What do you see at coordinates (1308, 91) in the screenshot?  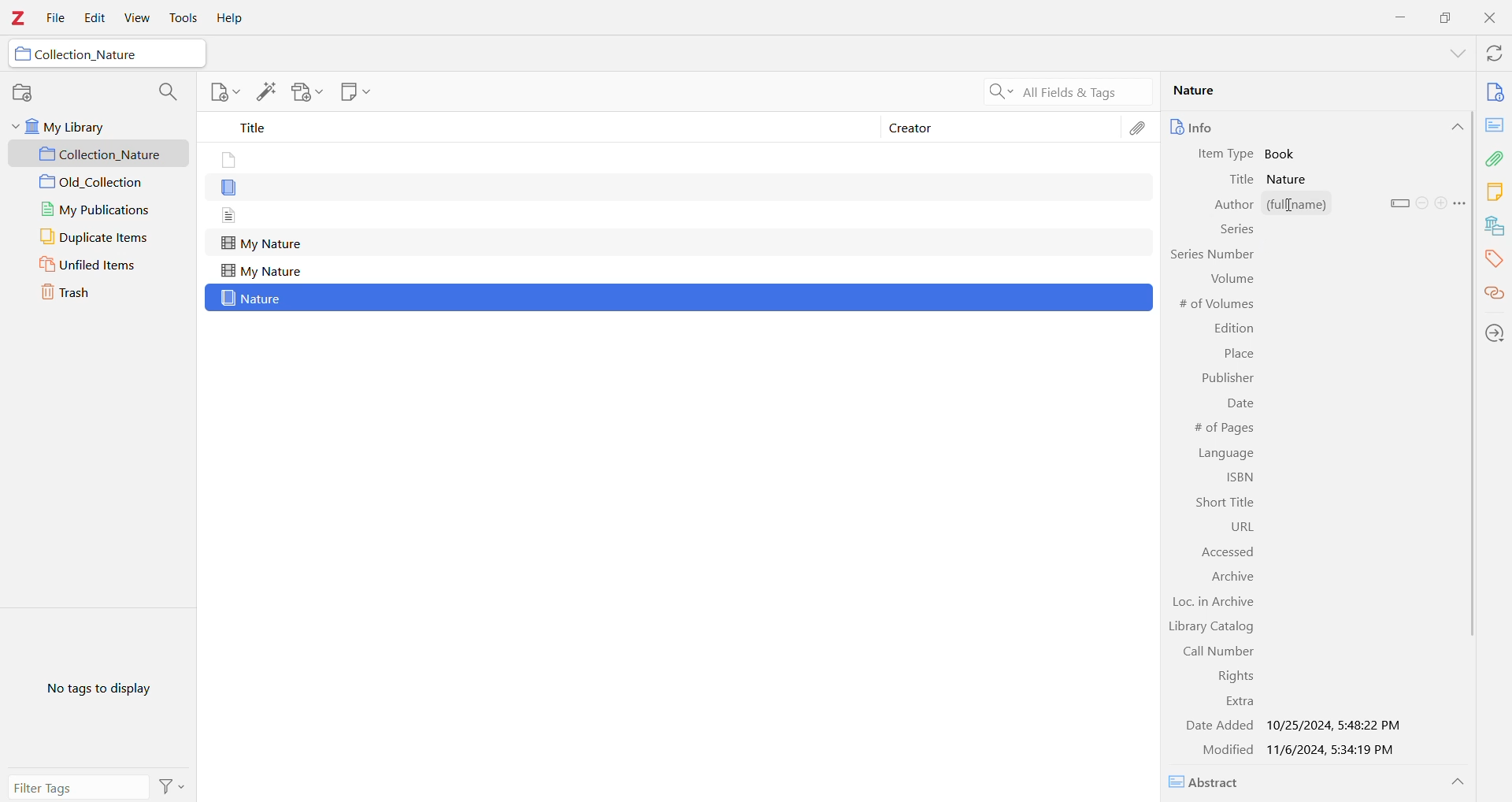 I see `Nature` at bounding box center [1308, 91].